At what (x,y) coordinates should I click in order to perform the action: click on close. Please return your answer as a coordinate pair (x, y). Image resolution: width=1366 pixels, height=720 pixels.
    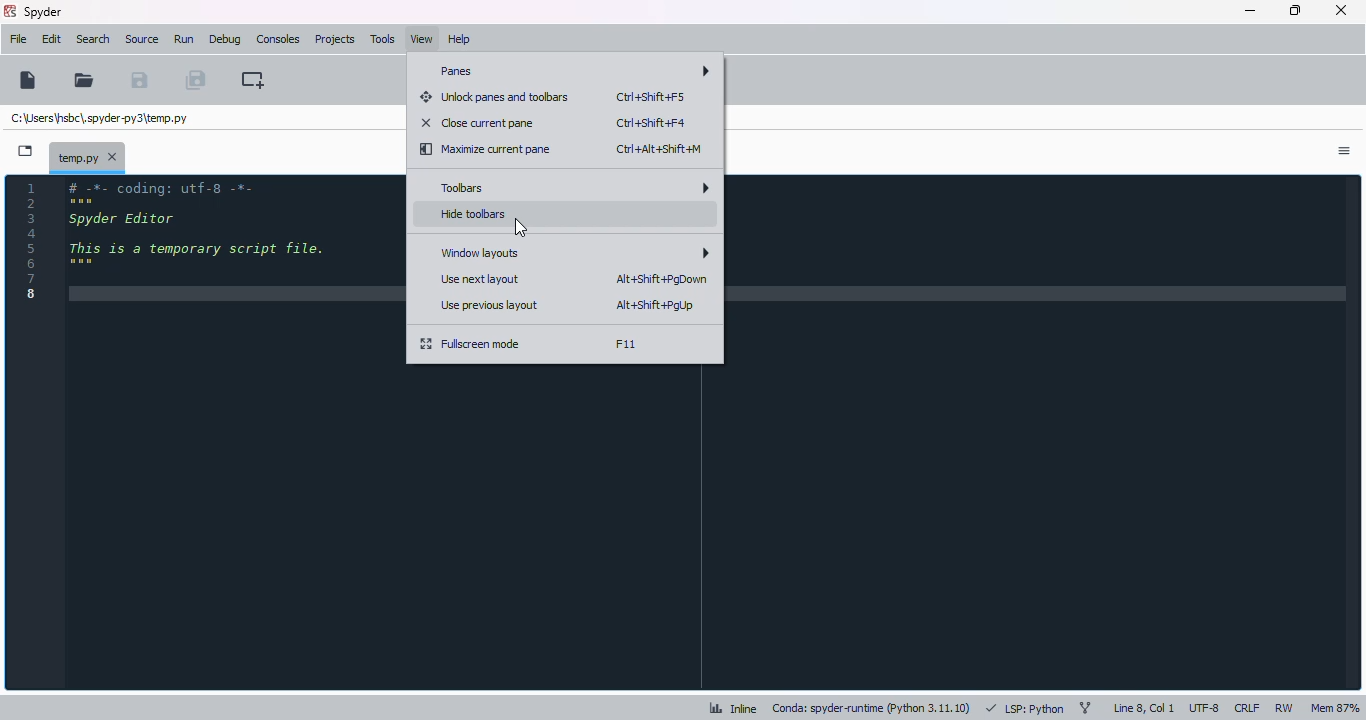
    Looking at the image, I should click on (1341, 10).